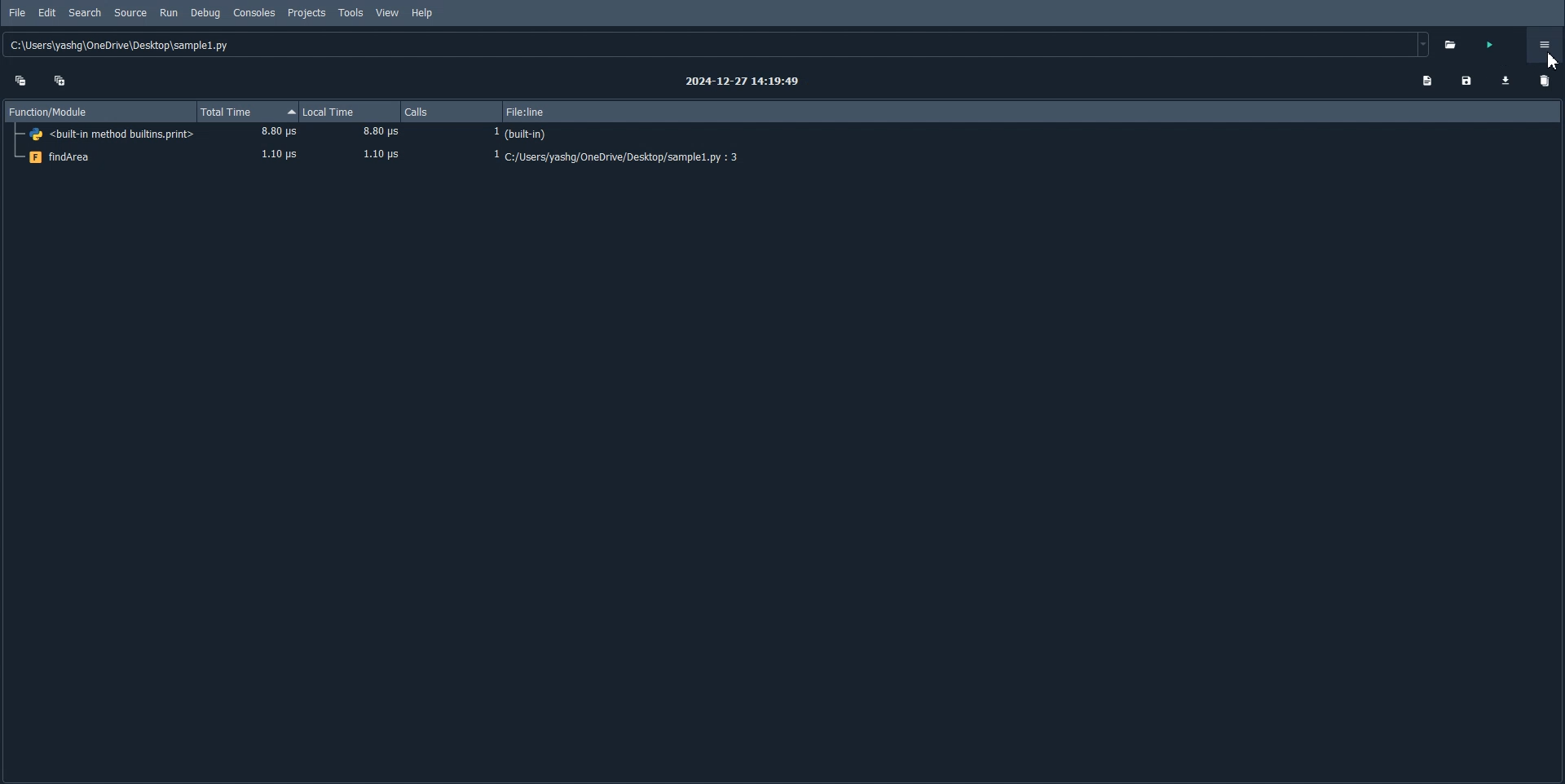 This screenshot has width=1565, height=784. What do you see at coordinates (246, 112) in the screenshot?
I see `Total Time` at bounding box center [246, 112].